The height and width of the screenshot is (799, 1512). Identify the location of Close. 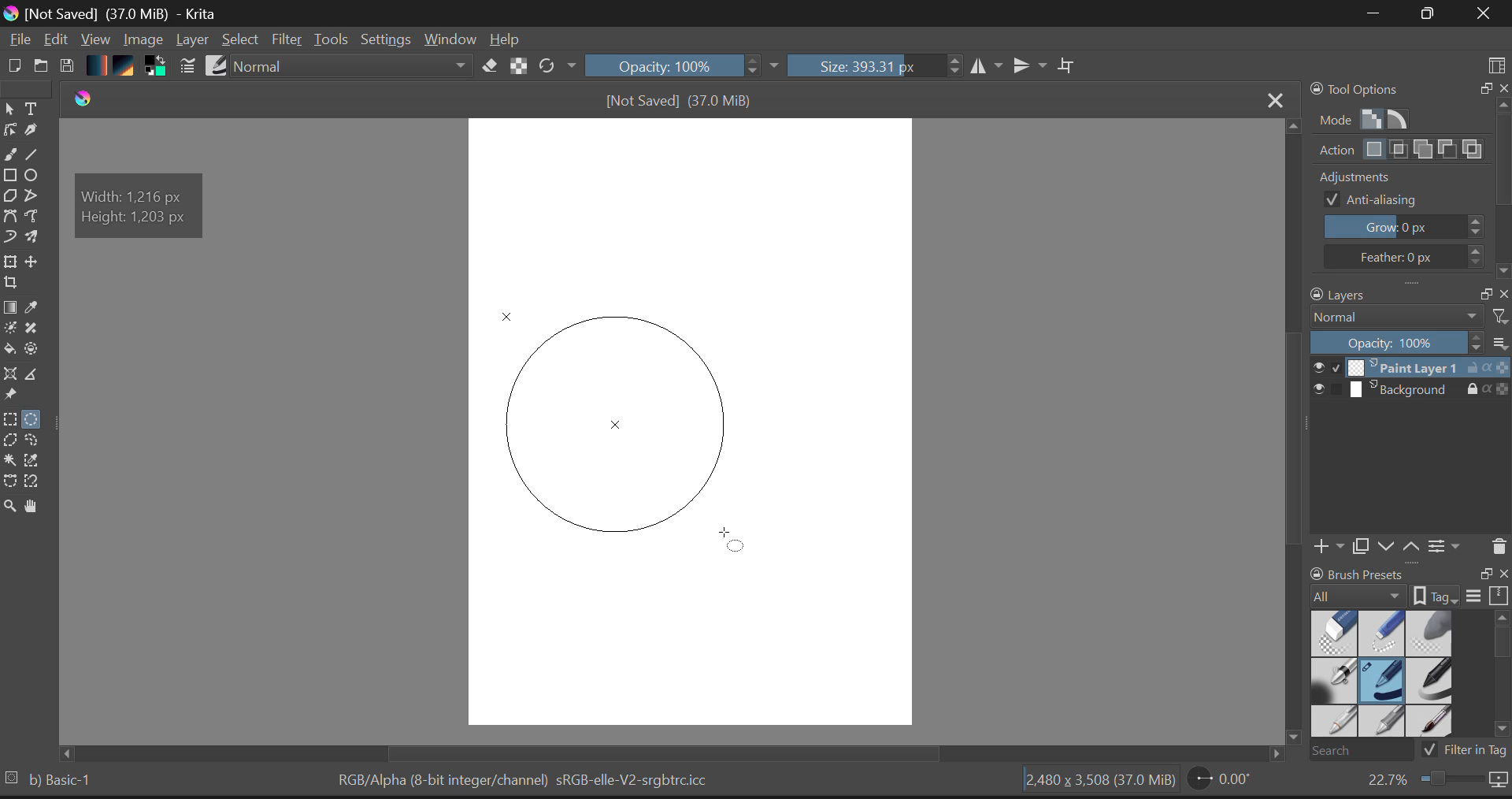
(1480, 15).